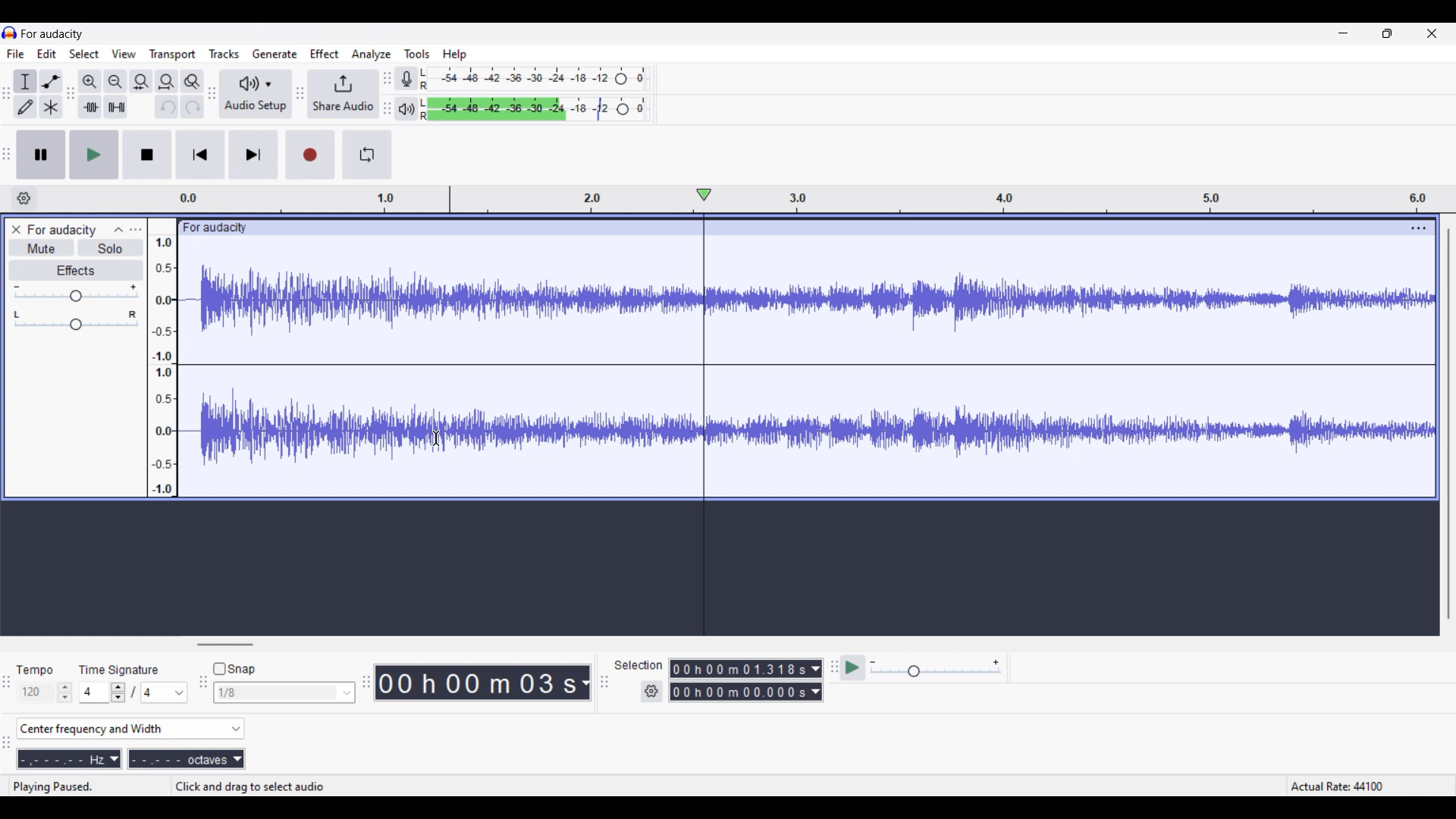 The width and height of the screenshot is (1456, 819). What do you see at coordinates (1387, 33) in the screenshot?
I see `Show in smaller tab` at bounding box center [1387, 33].